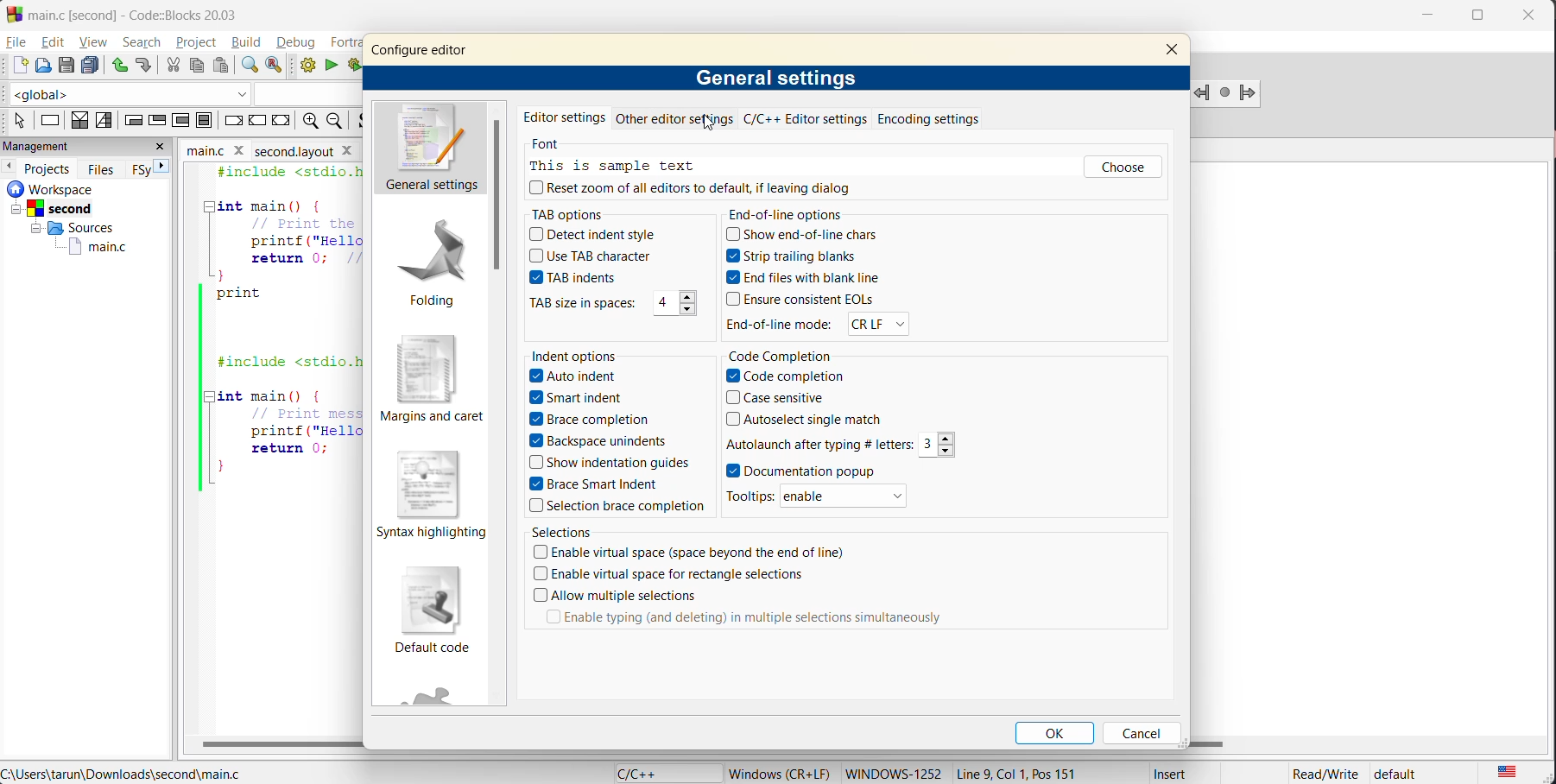 This screenshot has height=784, width=1556. What do you see at coordinates (573, 397) in the screenshot?
I see `Smart indent` at bounding box center [573, 397].